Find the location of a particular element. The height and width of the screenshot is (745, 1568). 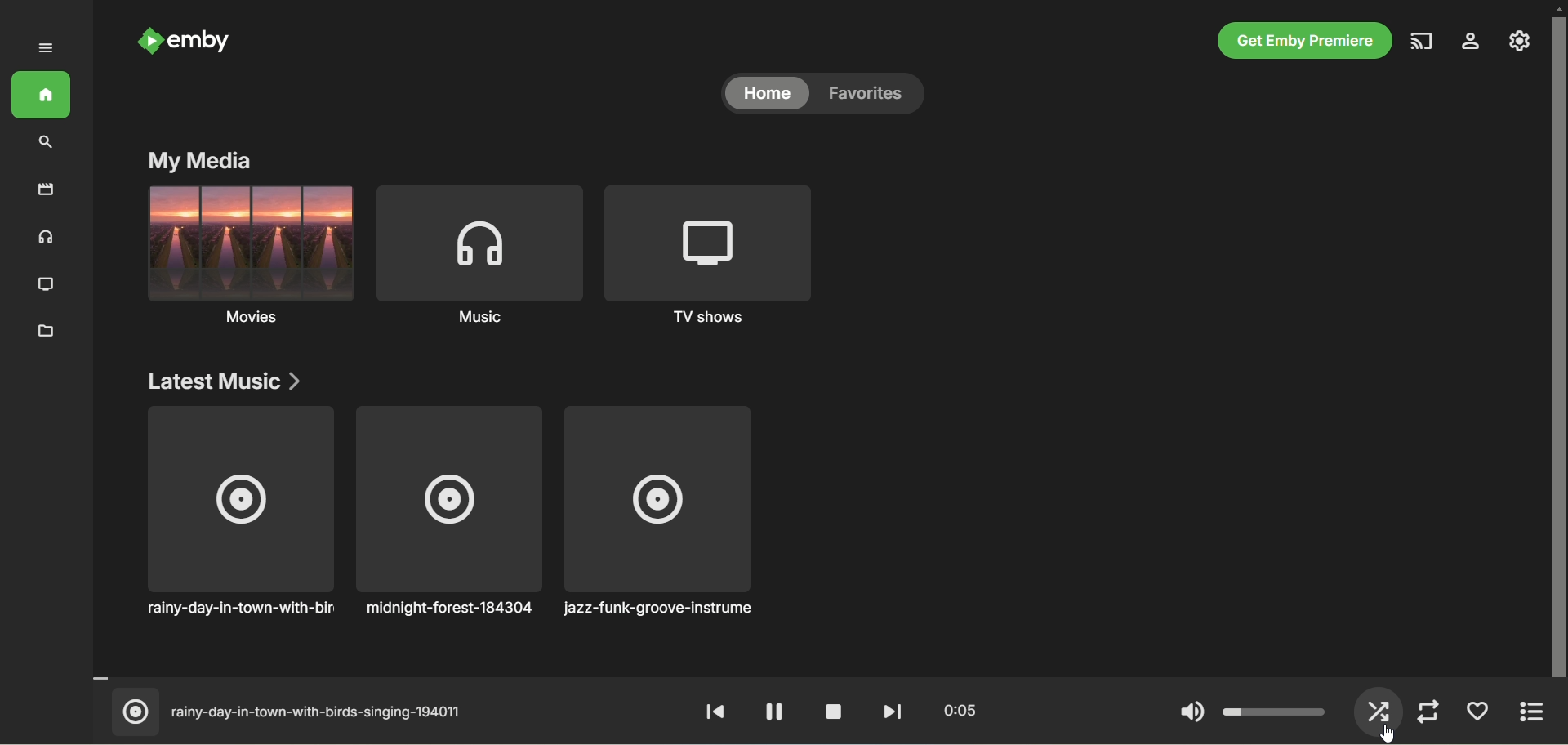

0:05 is located at coordinates (962, 713).